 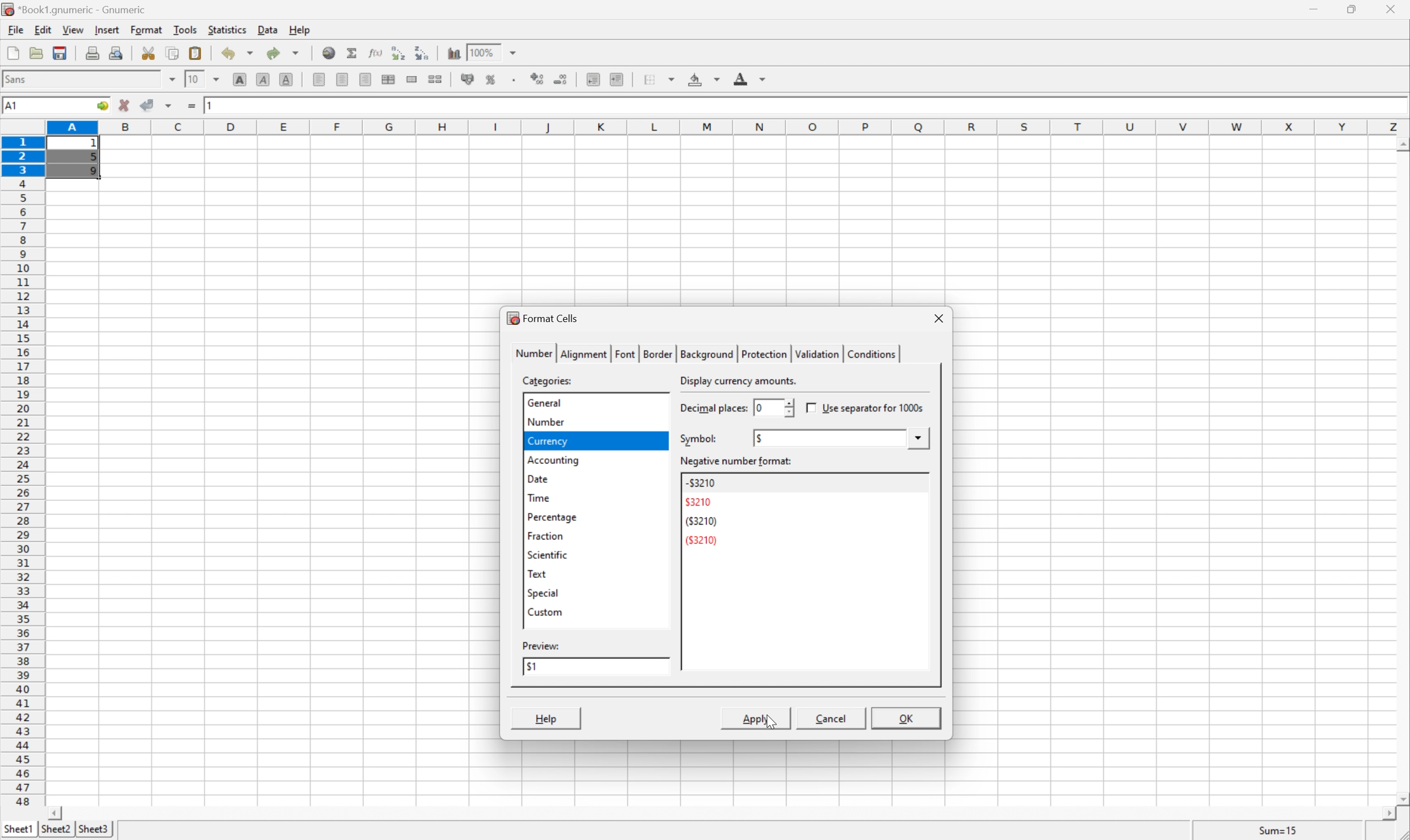 I want to click on copy, so click(x=172, y=53).